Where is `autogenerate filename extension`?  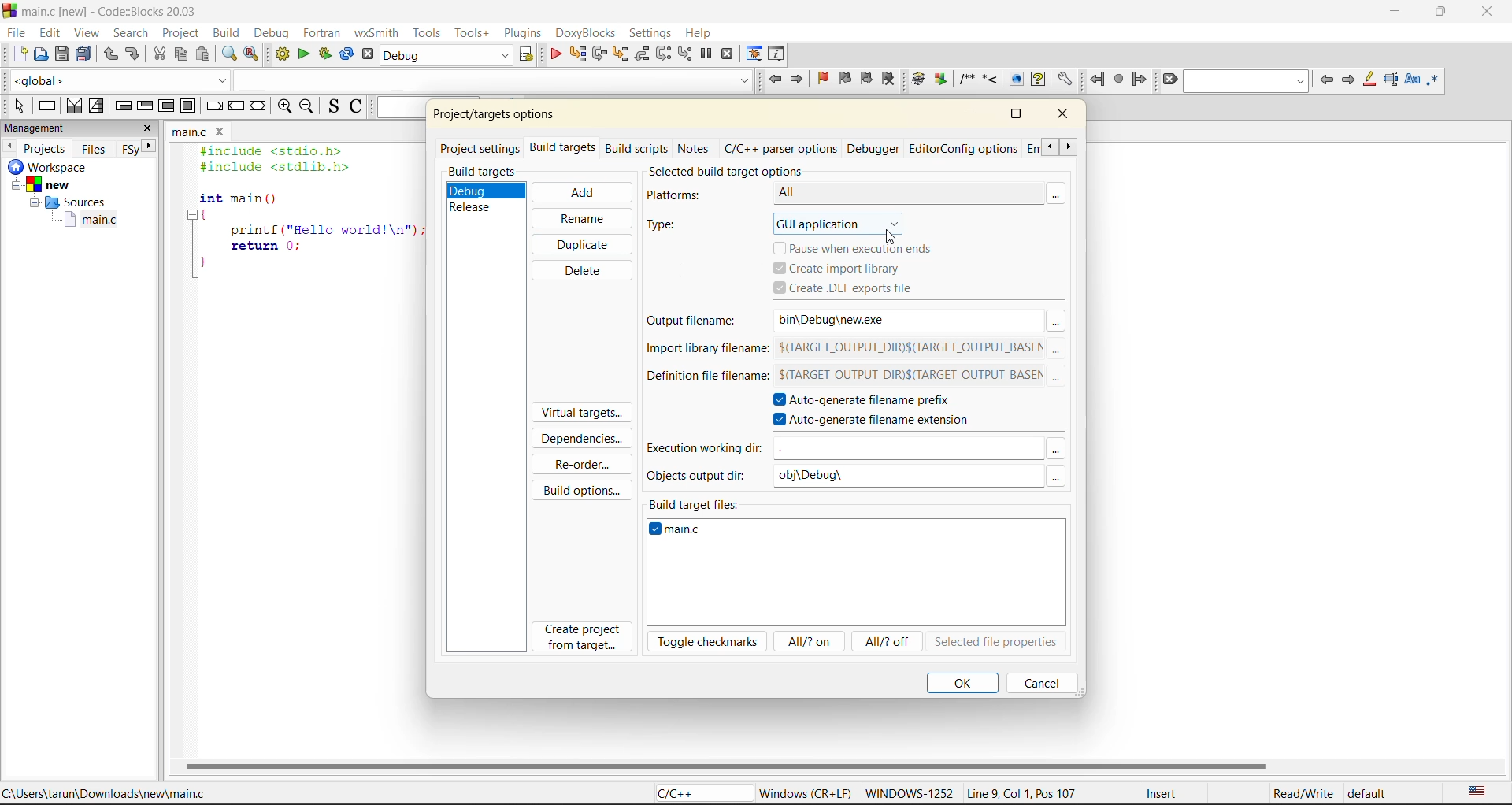
autogenerate filename extension is located at coordinates (879, 421).